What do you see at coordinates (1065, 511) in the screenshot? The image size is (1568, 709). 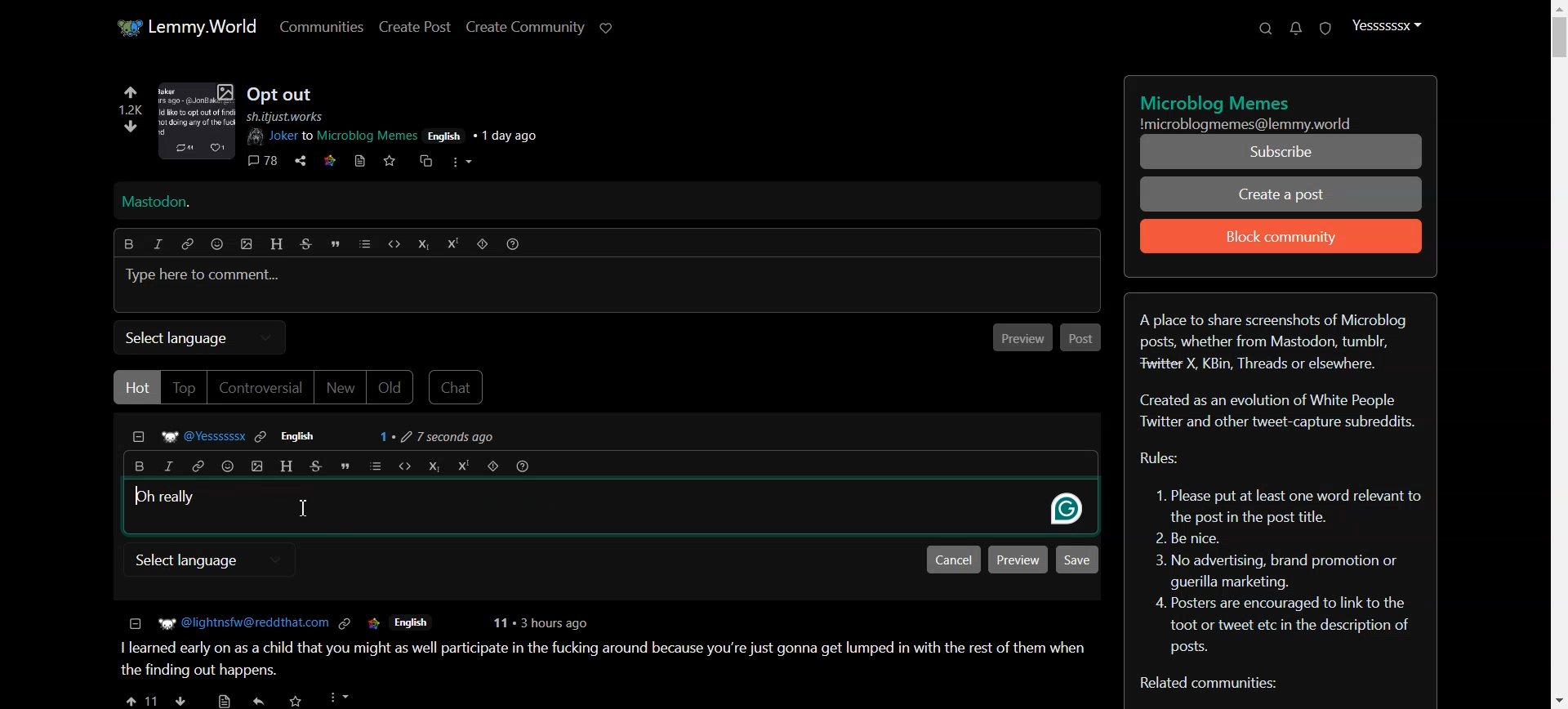 I see `grammarly` at bounding box center [1065, 511].